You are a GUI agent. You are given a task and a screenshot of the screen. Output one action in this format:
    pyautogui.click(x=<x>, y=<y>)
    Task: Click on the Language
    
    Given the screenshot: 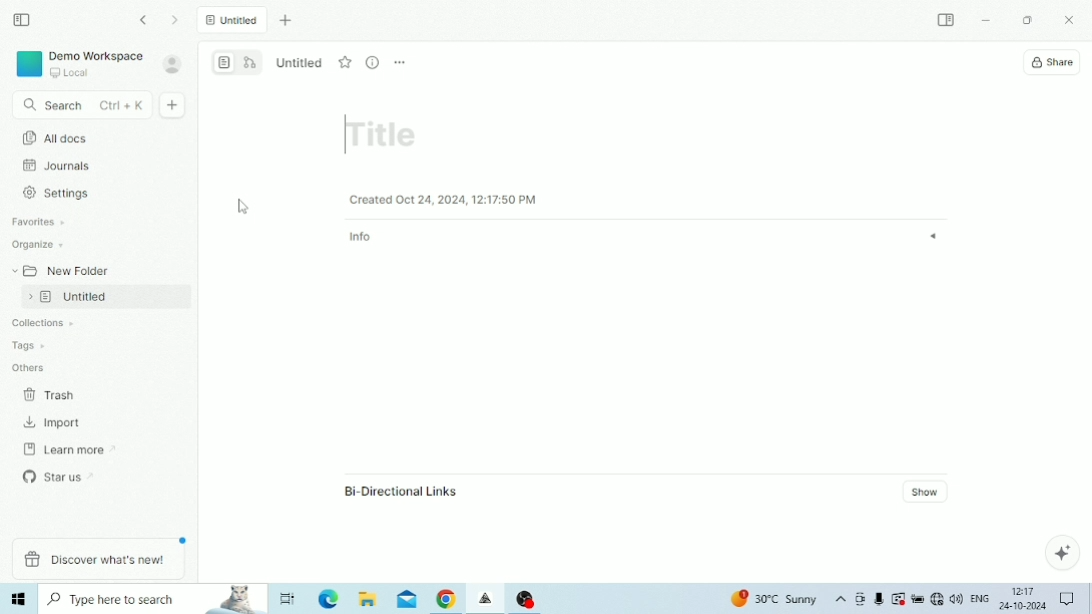 What is the action you would take?
    pyautogui.click(x=979, y=597)
    